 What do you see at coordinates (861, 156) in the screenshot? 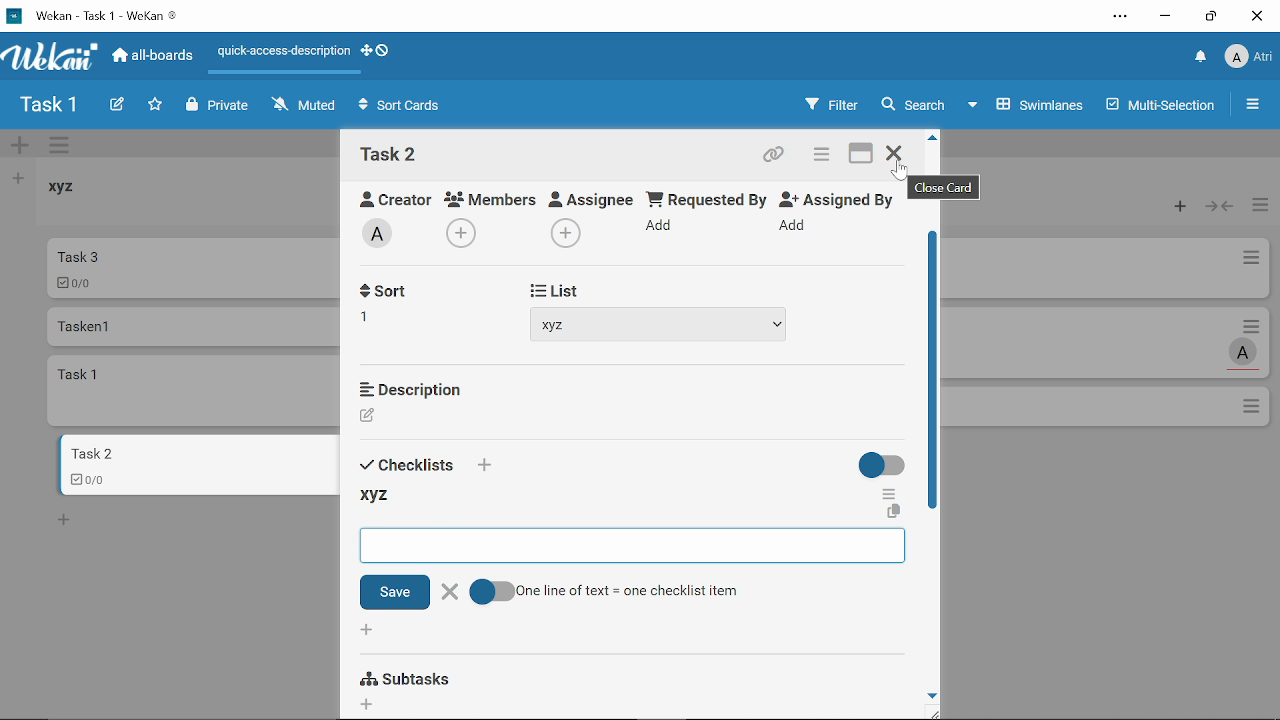
I see `Maximize card` at bounding box center [861, 156].